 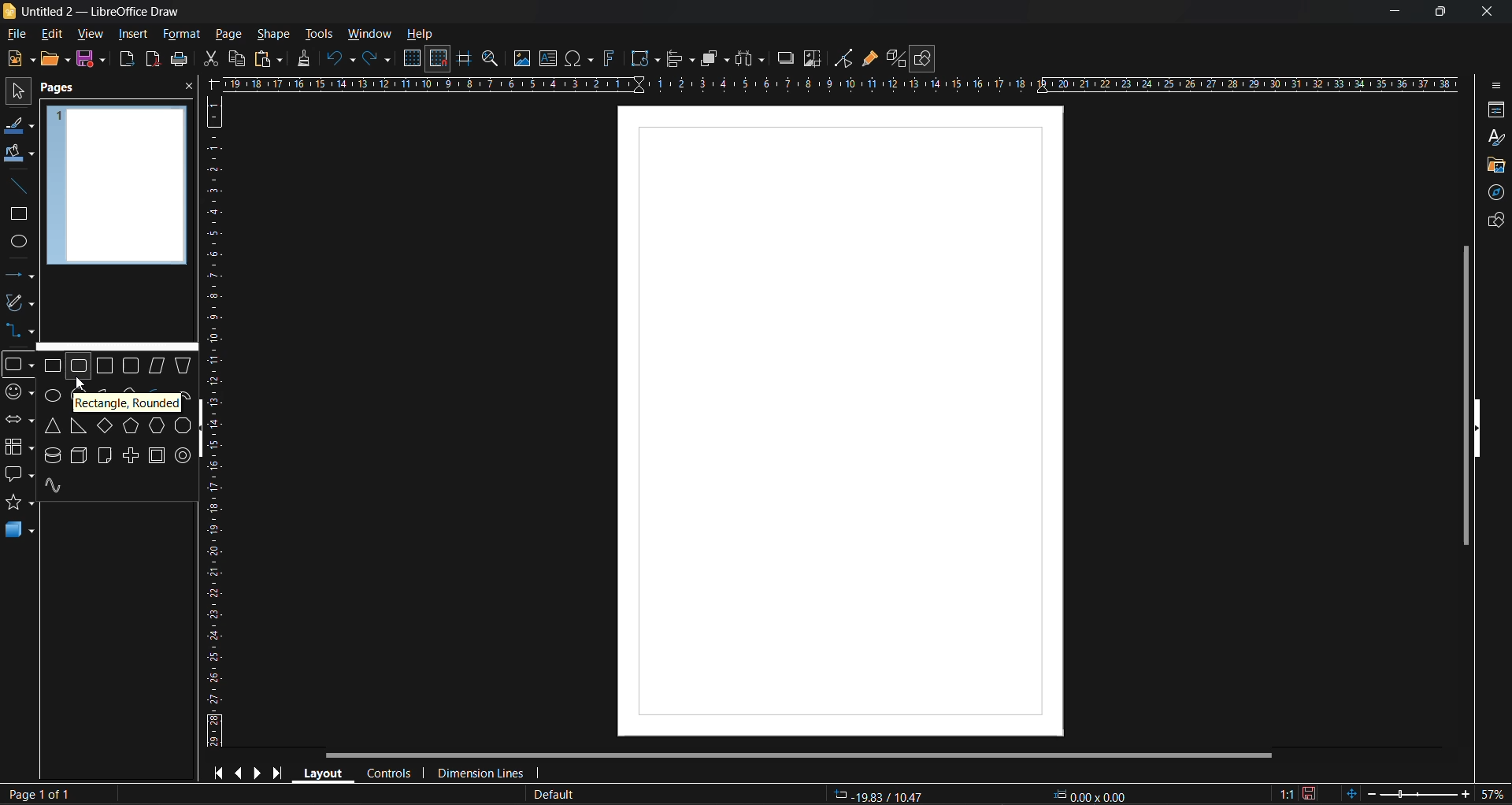 I want to click on undo, so click(x=342, y=60).